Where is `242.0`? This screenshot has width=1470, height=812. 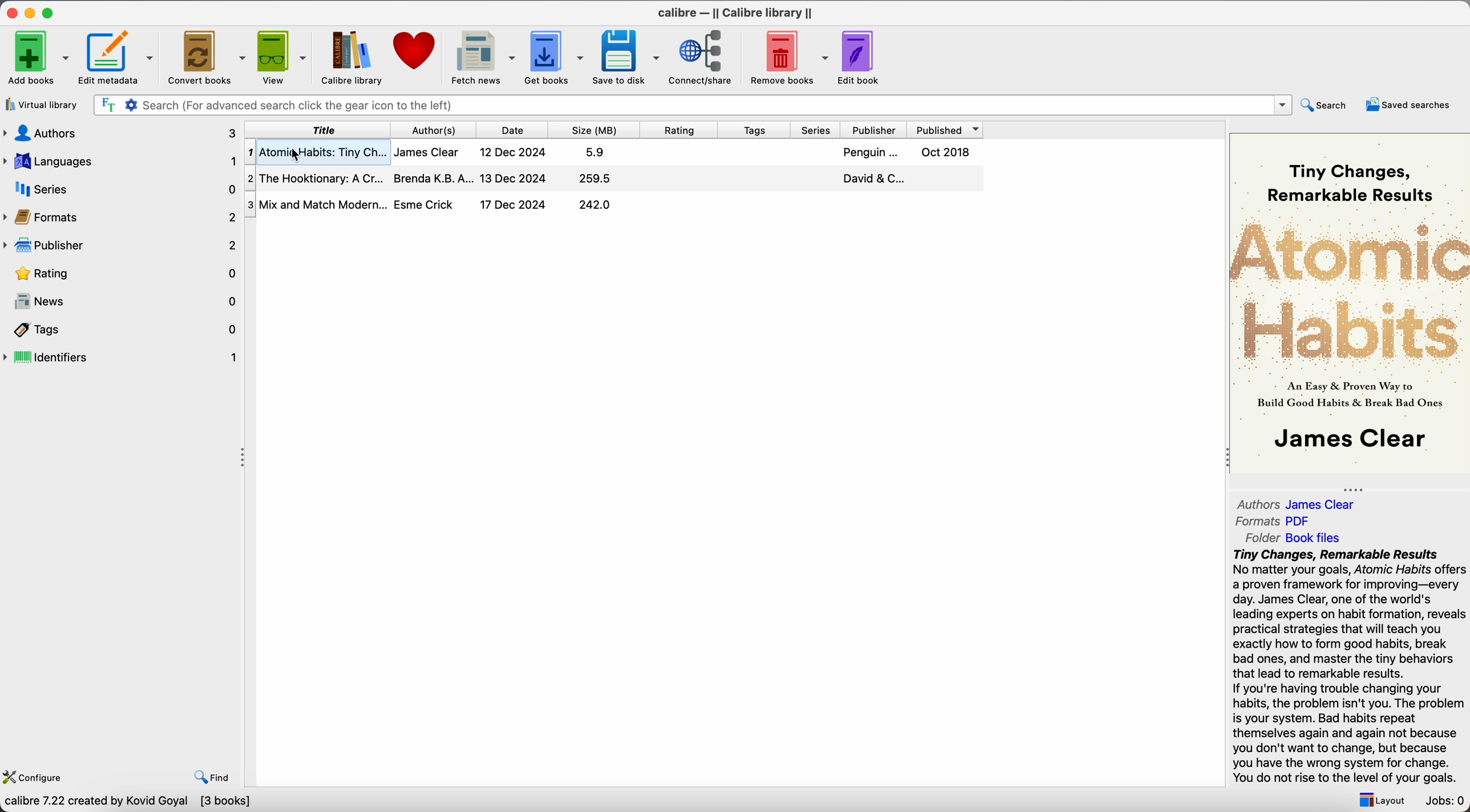
242.0 is located at coordinates (595, 205).